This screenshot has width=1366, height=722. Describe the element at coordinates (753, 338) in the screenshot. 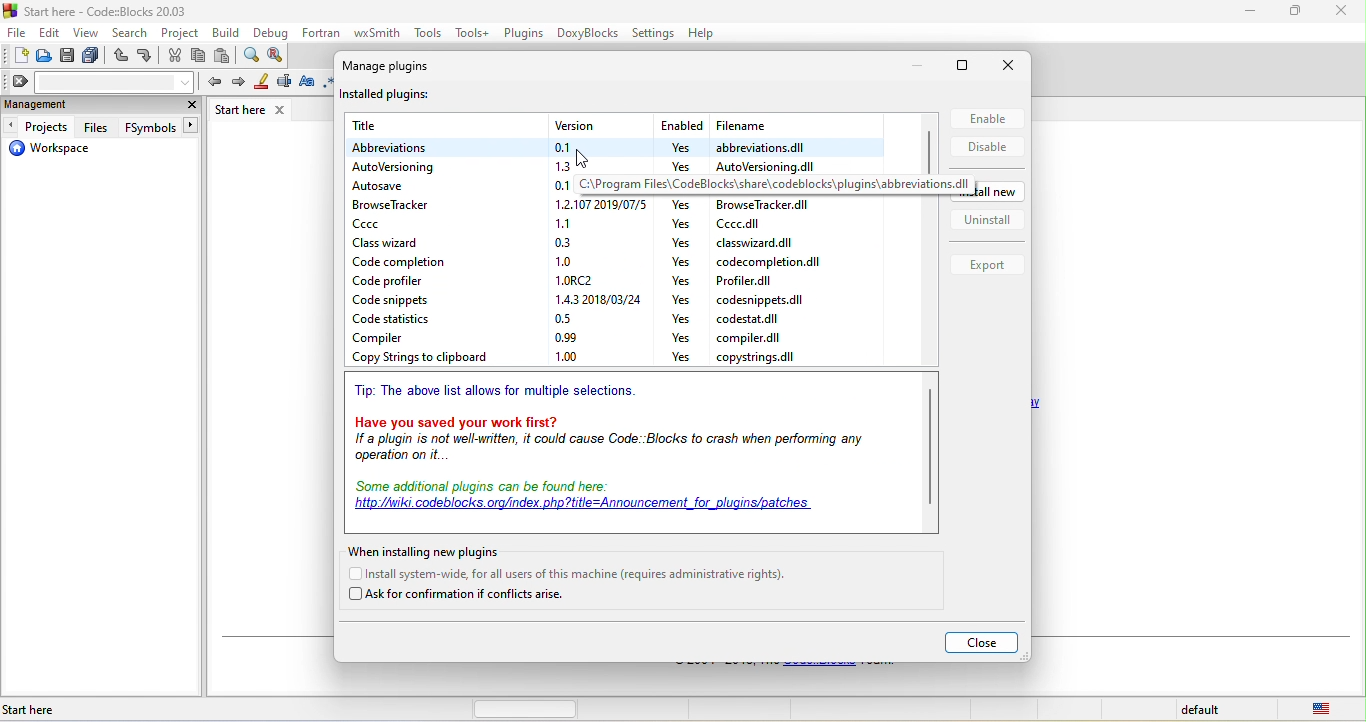

I see `file` at that location.